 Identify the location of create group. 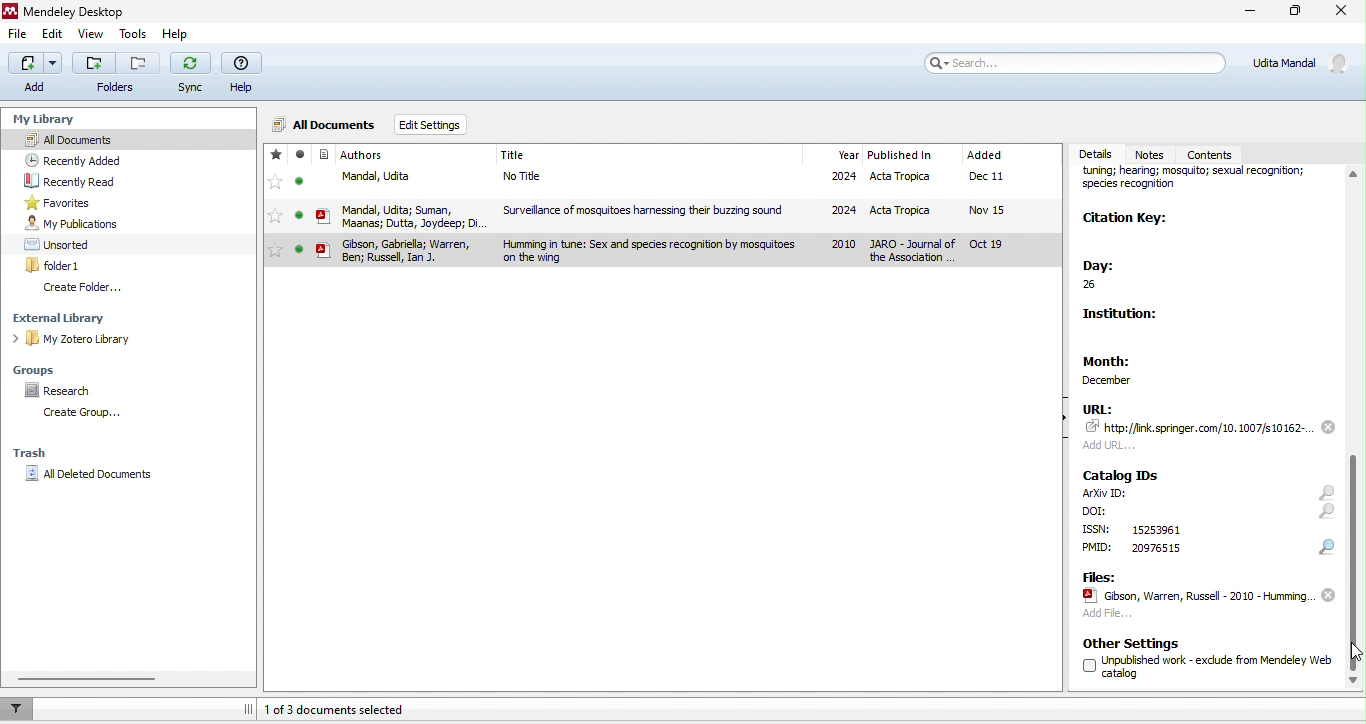
(78, 413).